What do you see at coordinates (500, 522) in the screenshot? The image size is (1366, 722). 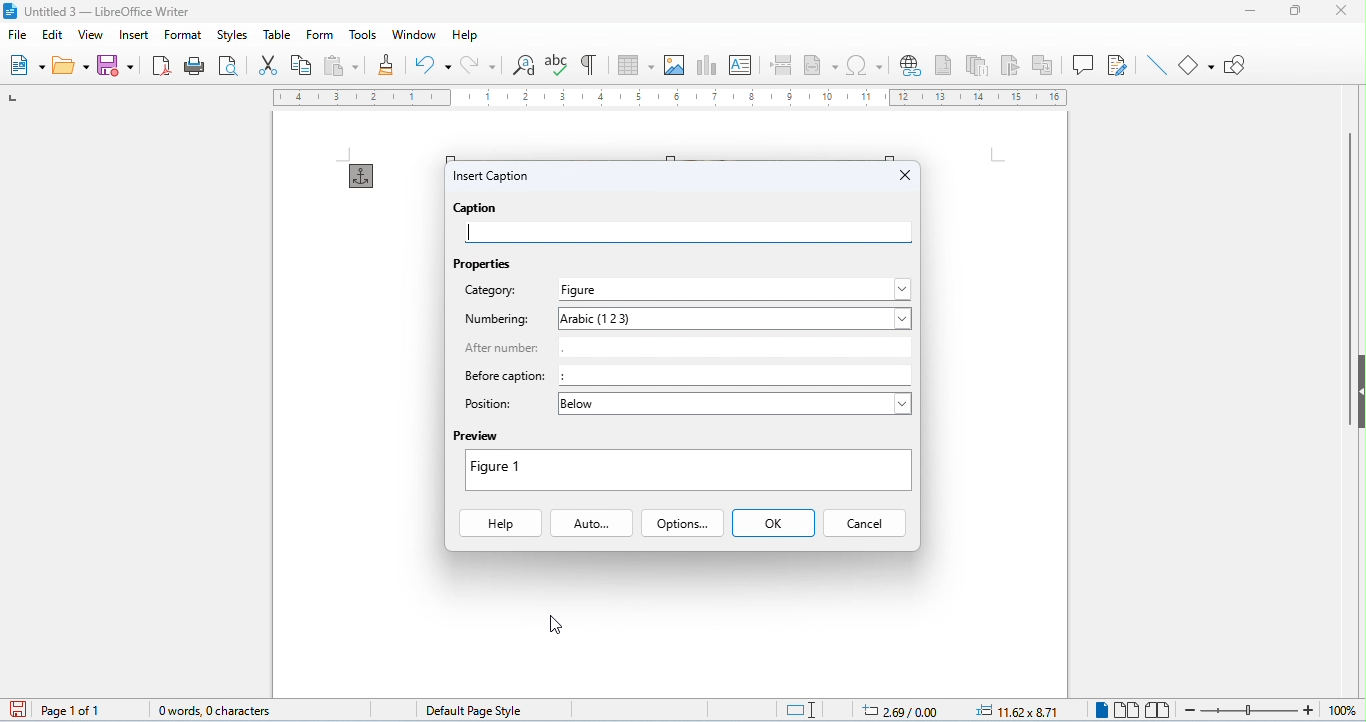 I see `help` at bounding box center [500, 522].